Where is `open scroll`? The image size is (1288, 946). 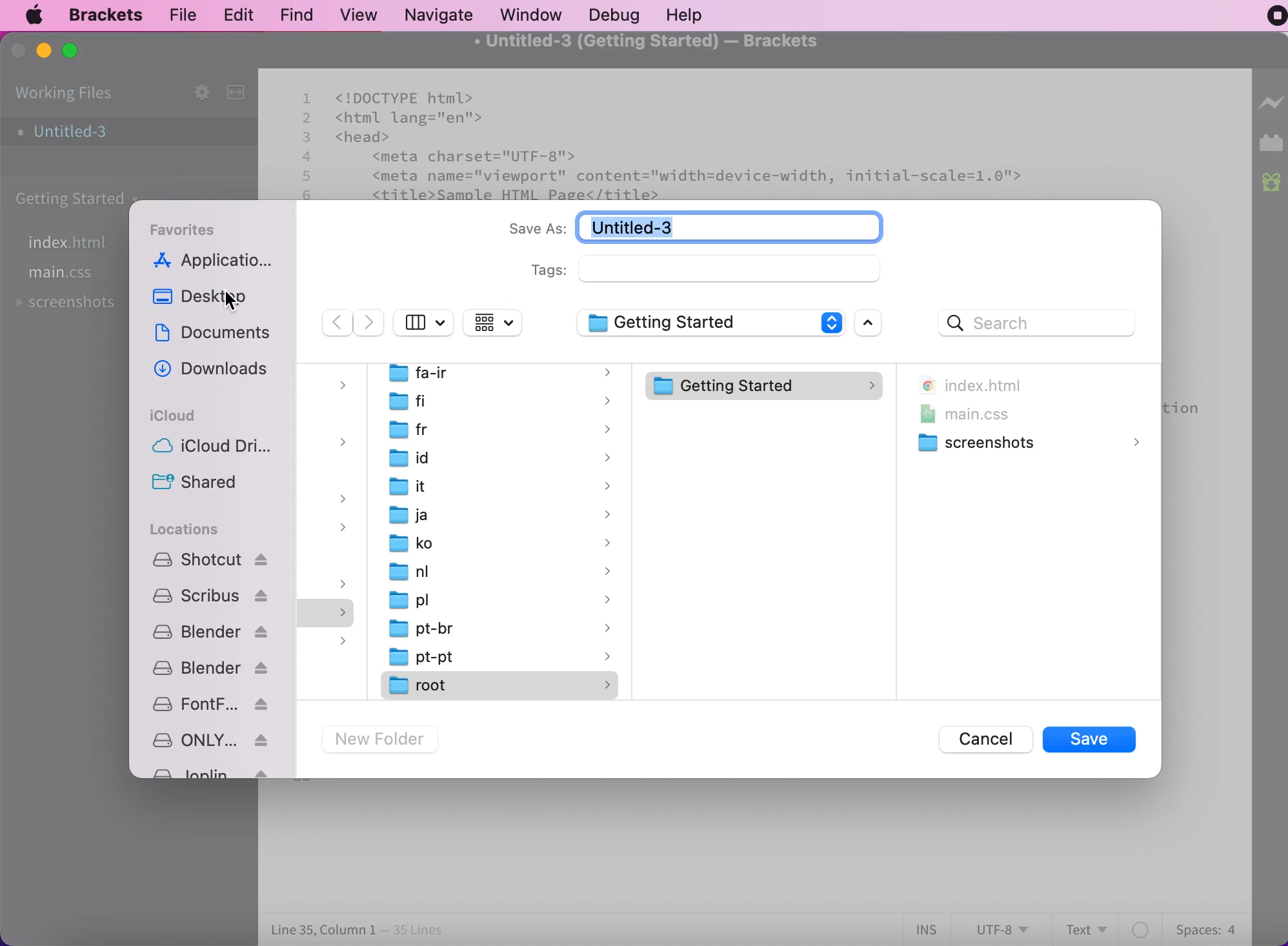
open scroll is located at coordinates (875, 322).